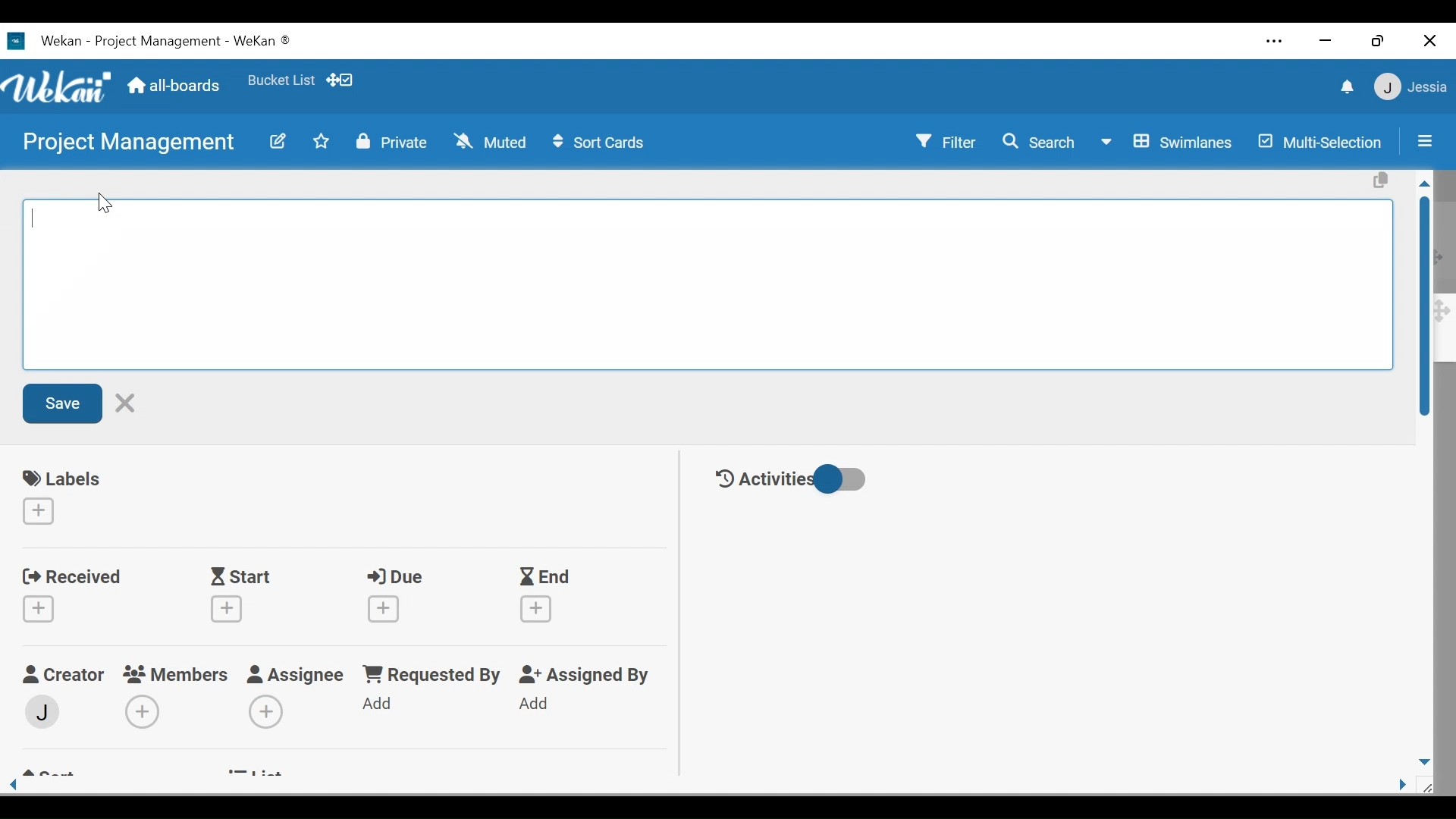  I want to click on Search, so click(1039, 142).